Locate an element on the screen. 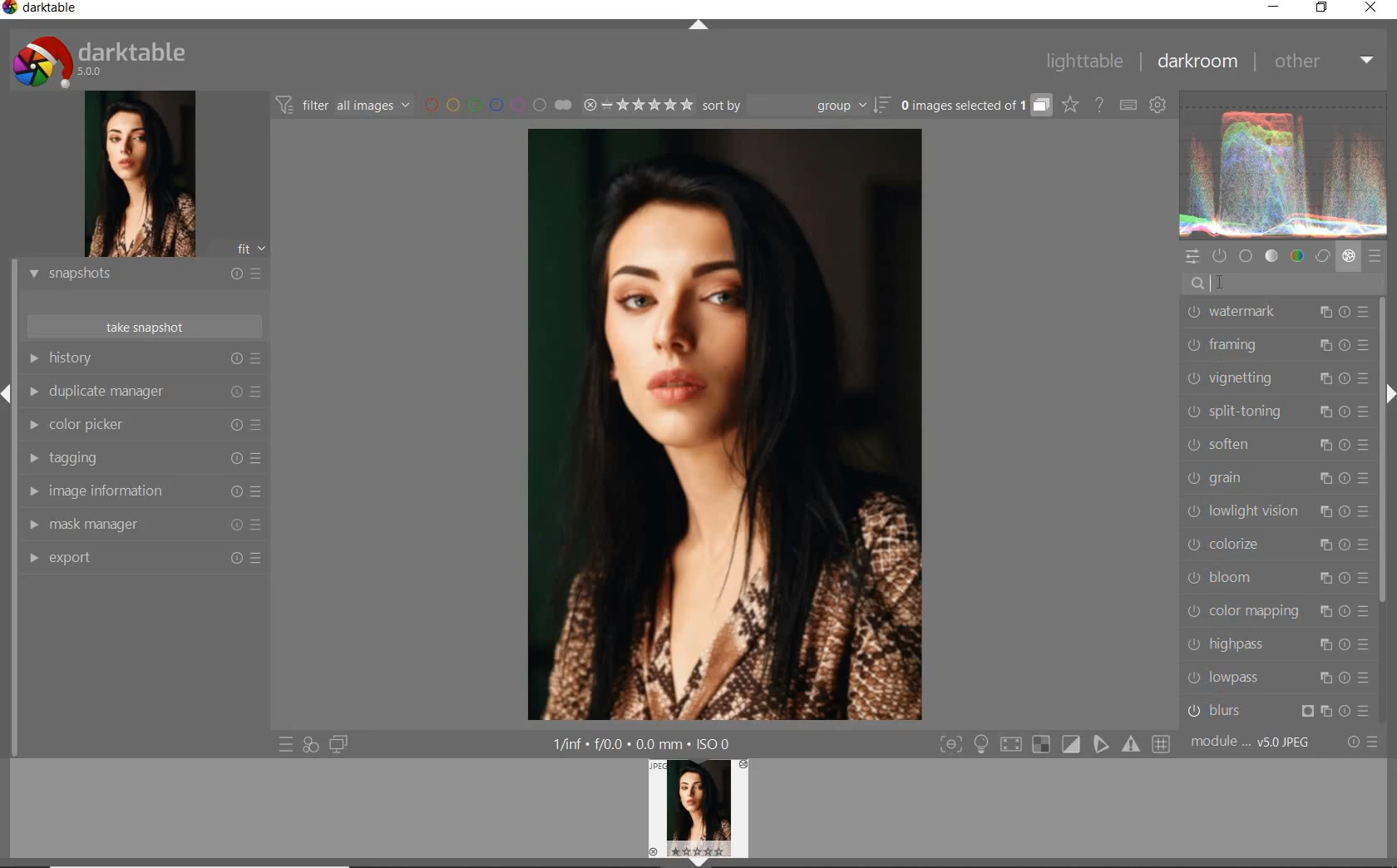 This screenshot has height=868, width=1397. restore is located at coordinates (1323, 10).